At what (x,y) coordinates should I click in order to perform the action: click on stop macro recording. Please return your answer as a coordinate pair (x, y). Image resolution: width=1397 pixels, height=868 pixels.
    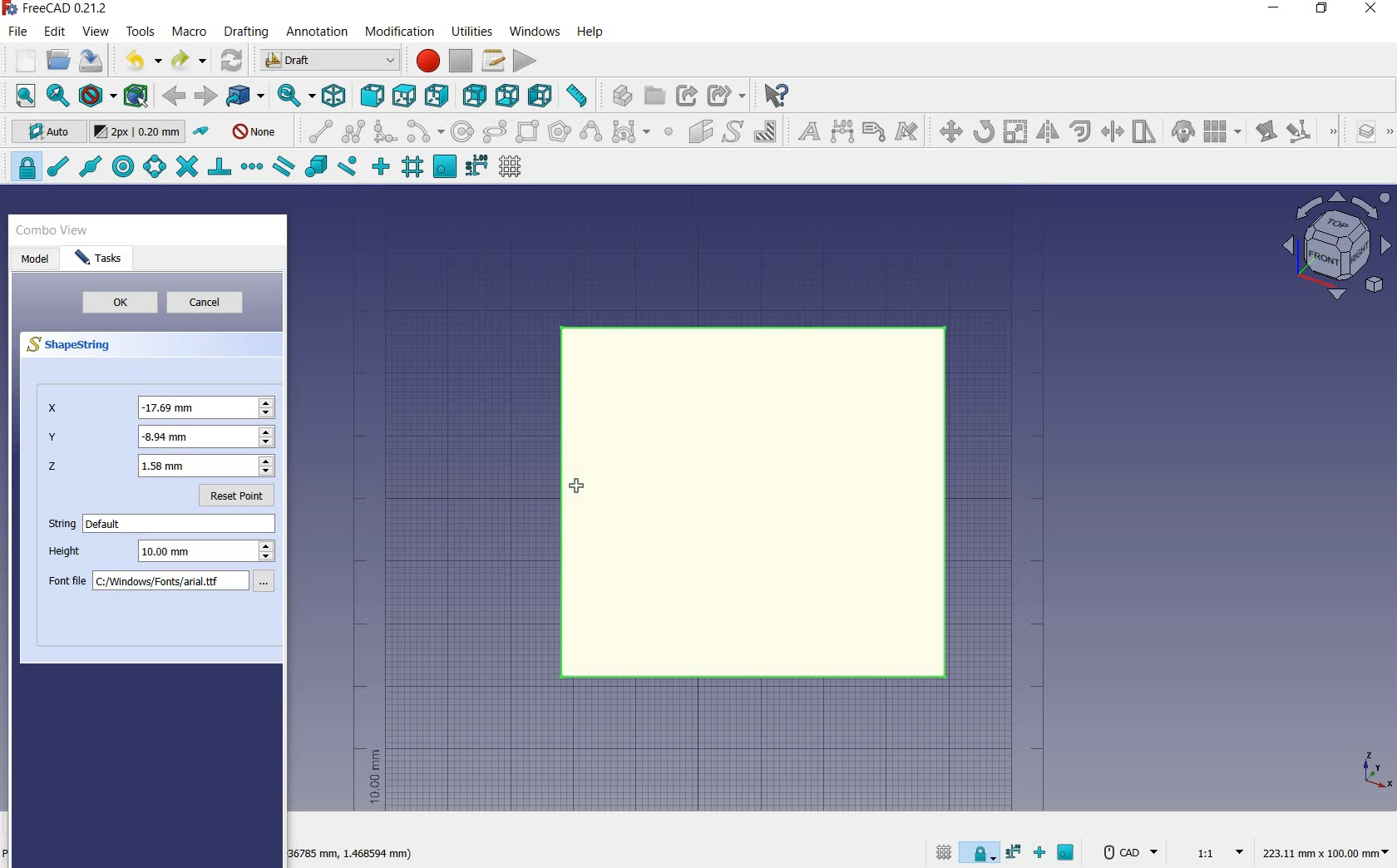
    Looking at the image, I should click on (462, 61).